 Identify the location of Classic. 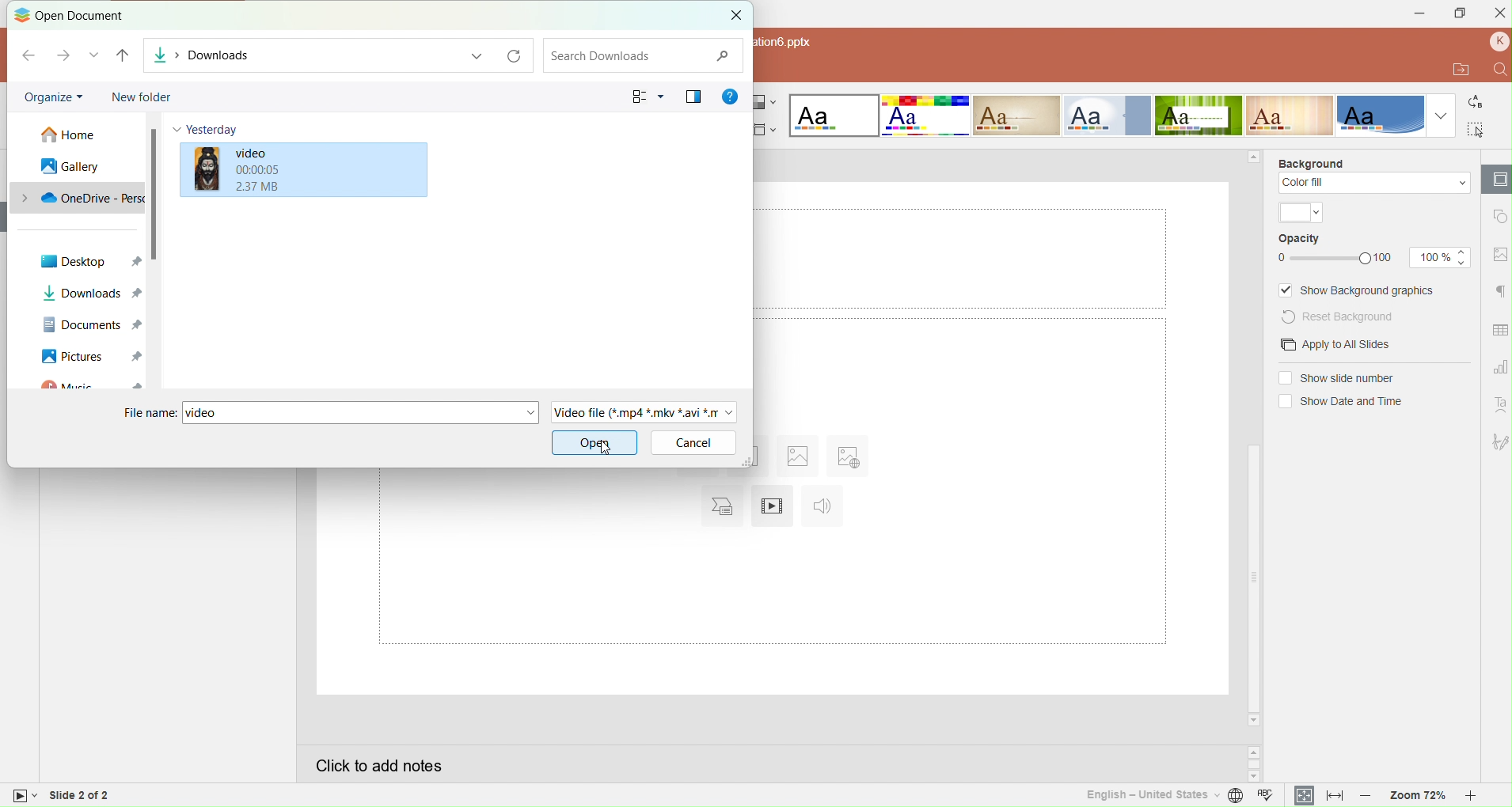
(1016, 116).